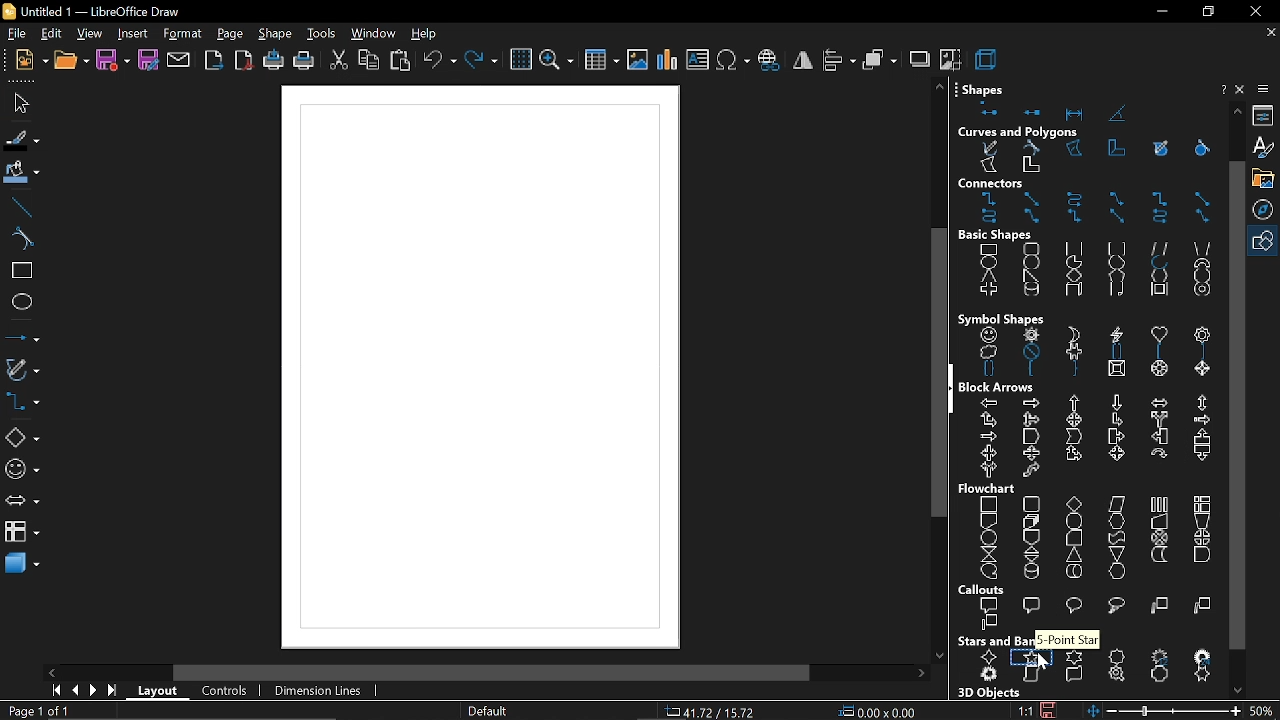  Describe the element at coordinates (1092, 667) in the screenshot. I see `stars and banners` at that location.